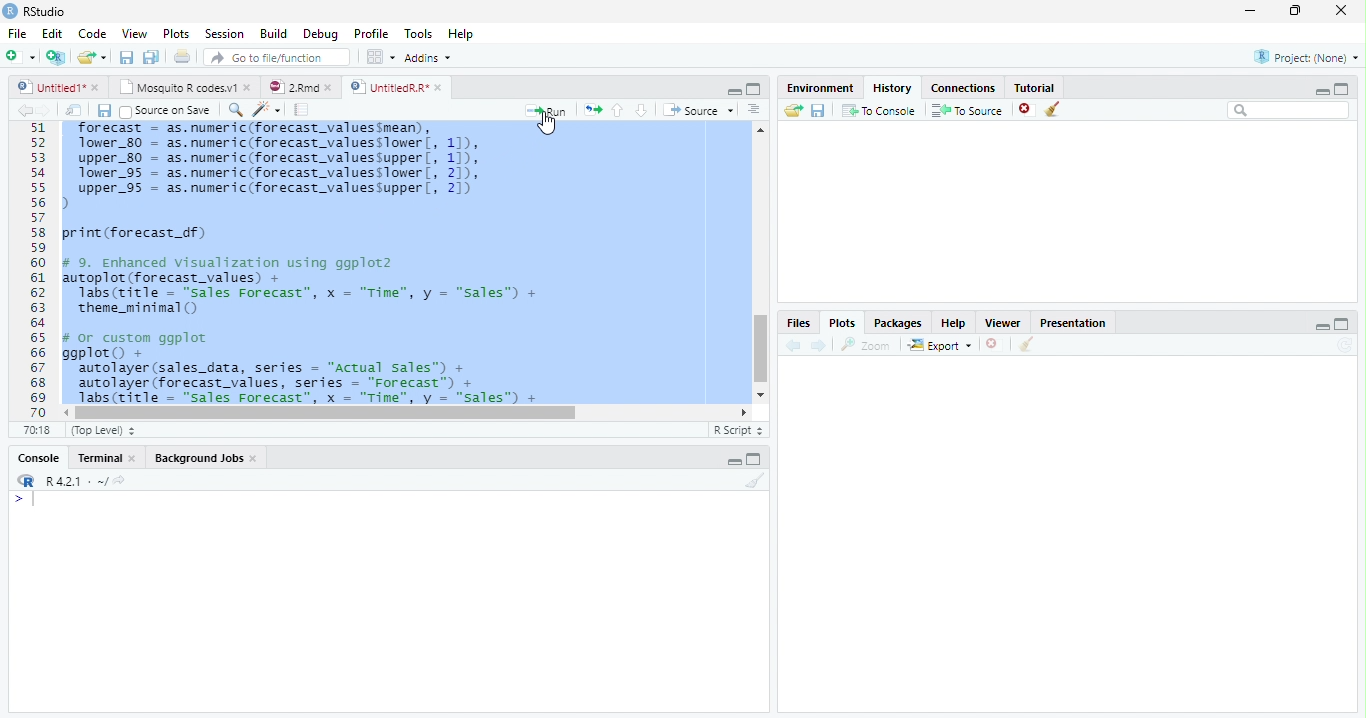 The height and width of the screenshot is (718, 1366). What do you see at coordinates (460, 33) in the screenshot?
I see `Help` at bounding box center [460, 33].